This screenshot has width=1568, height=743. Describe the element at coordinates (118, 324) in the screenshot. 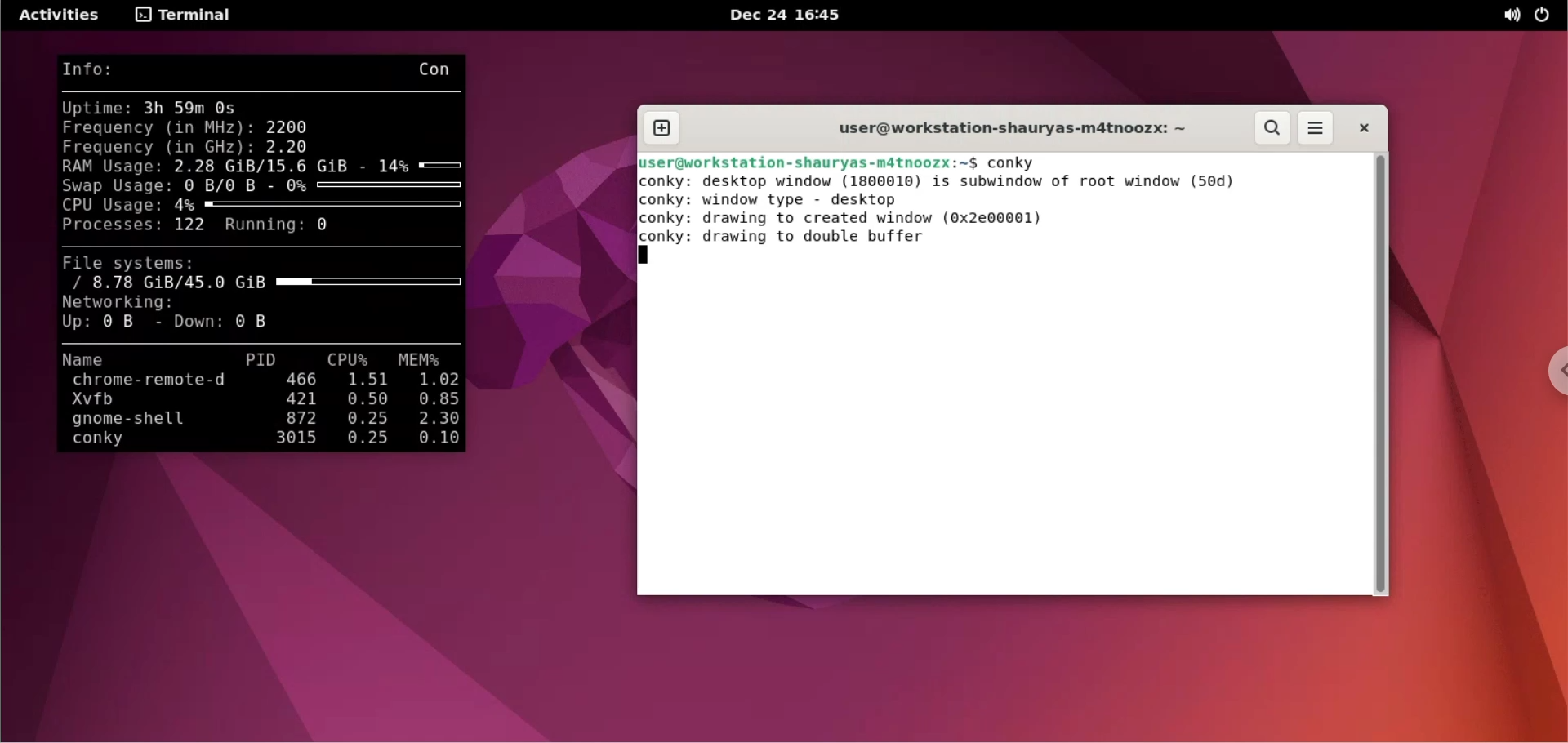

I see `upload speed` at that location.